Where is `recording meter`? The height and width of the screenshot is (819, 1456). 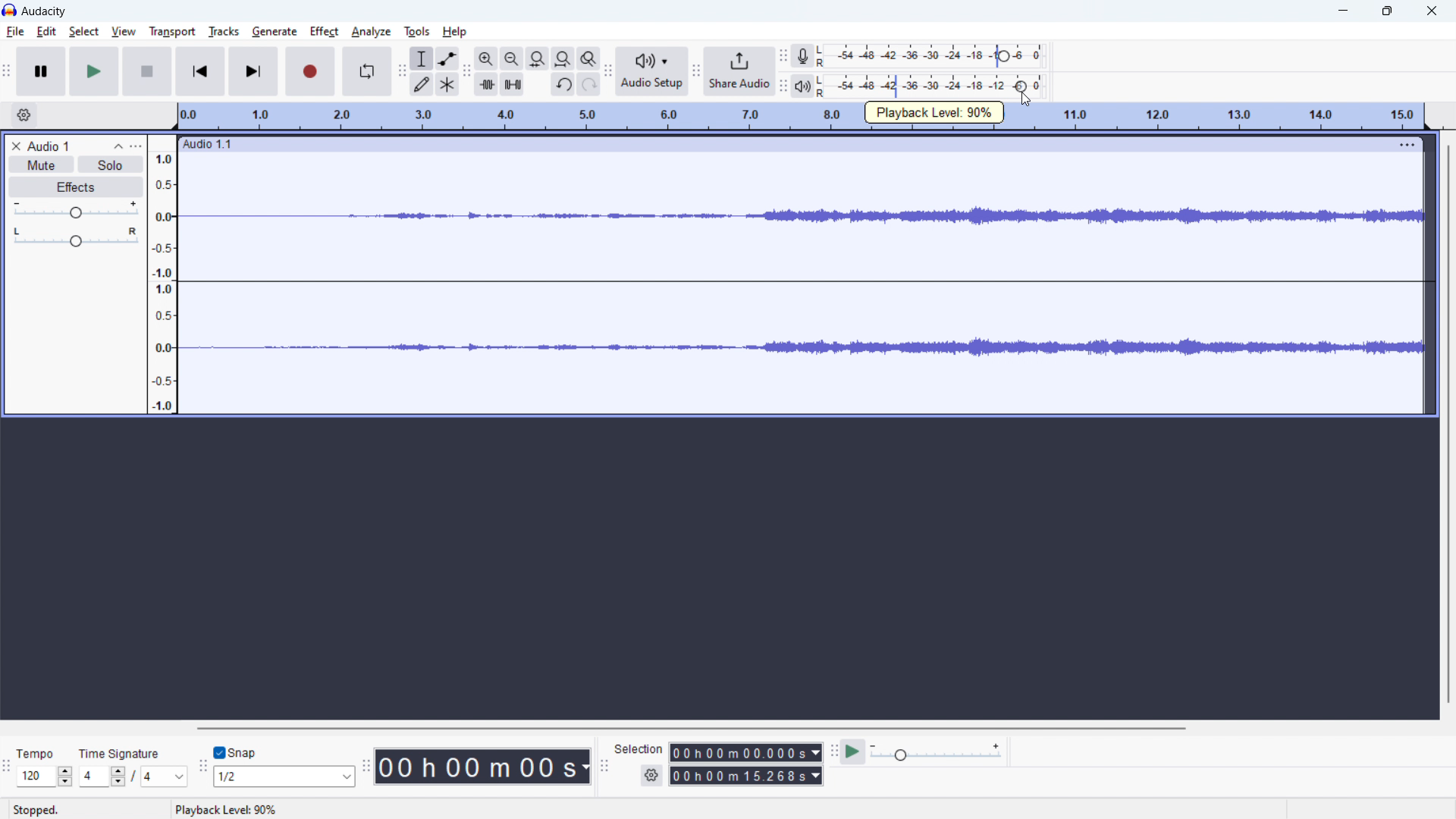 recording meter is located at coordinates (803, 56).